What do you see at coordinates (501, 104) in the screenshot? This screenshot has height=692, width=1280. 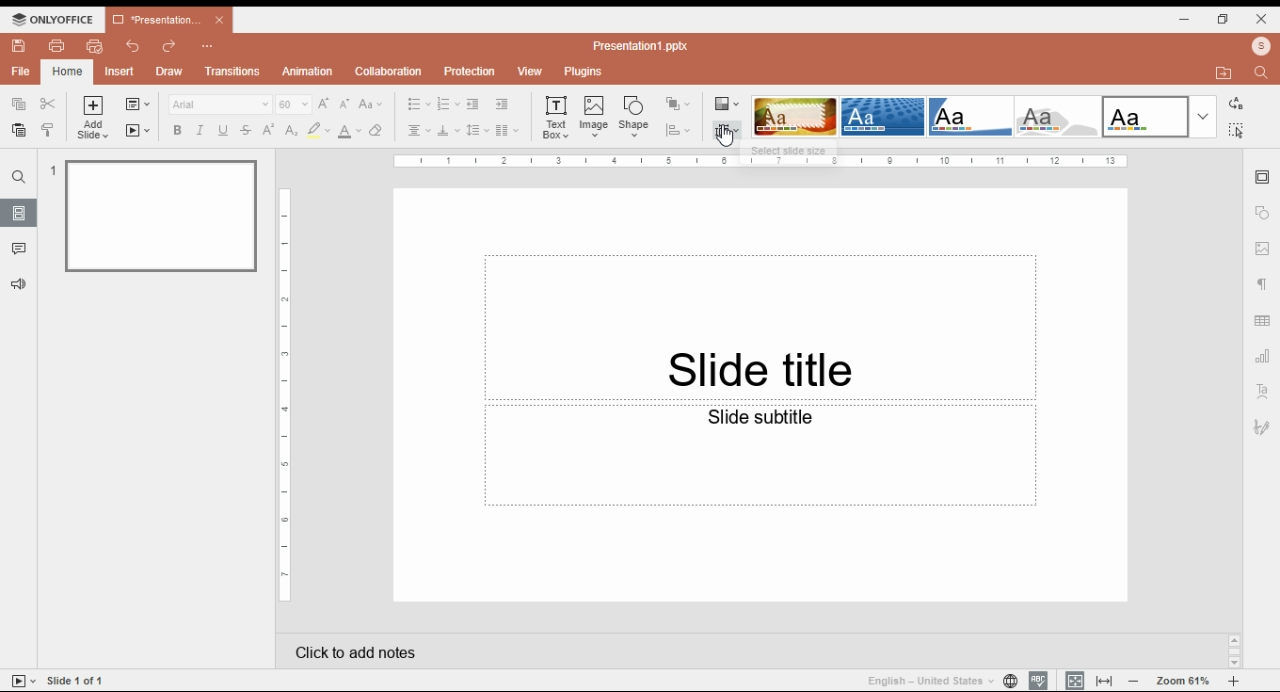 I see `increase indent` at bounding box center [501, 104].